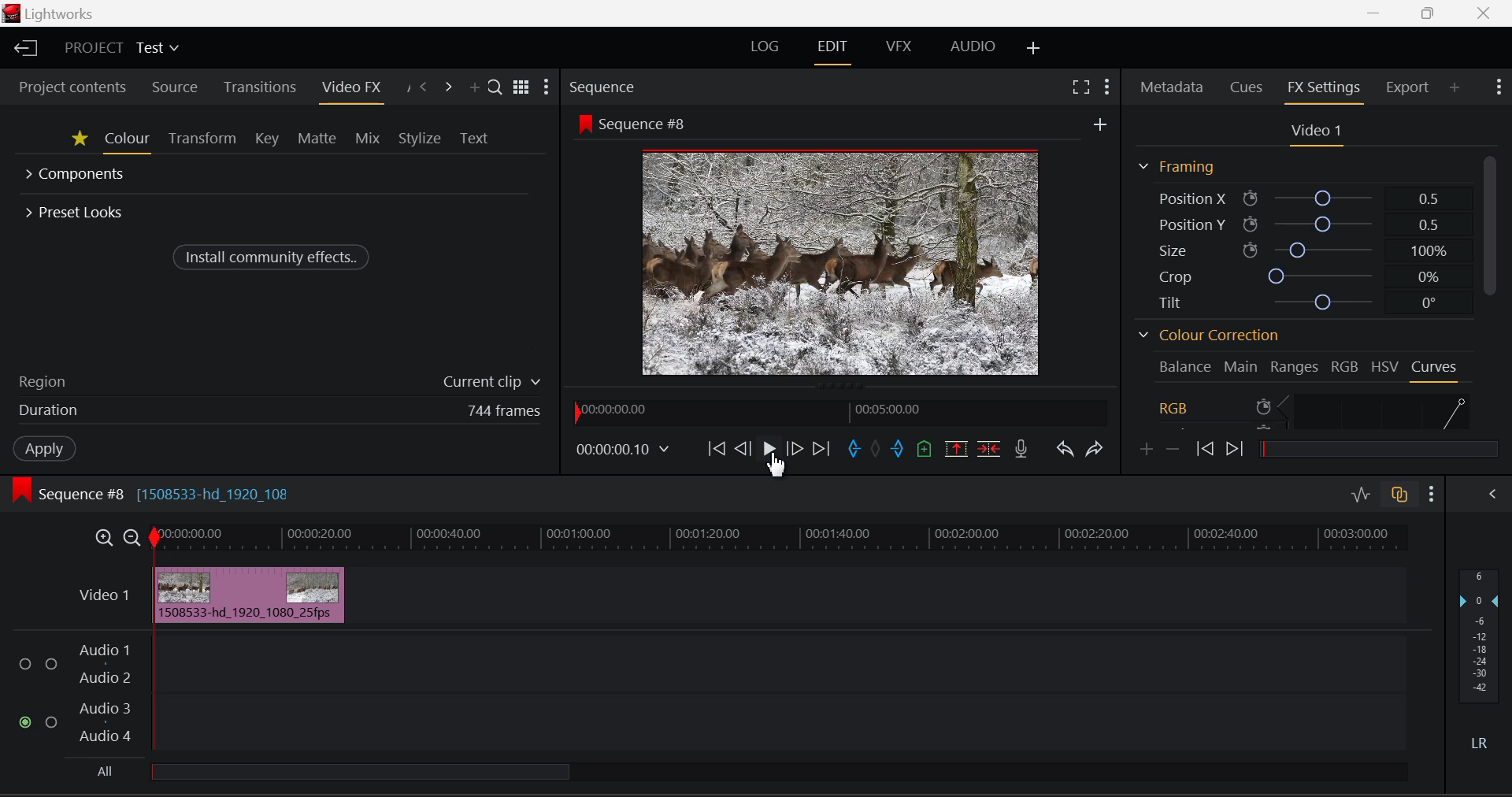 This screenshot has width=1512, height=797. Describe the element at coordinates (1171, 89) in the screenshot. I see `Metadata Tab` at that location.